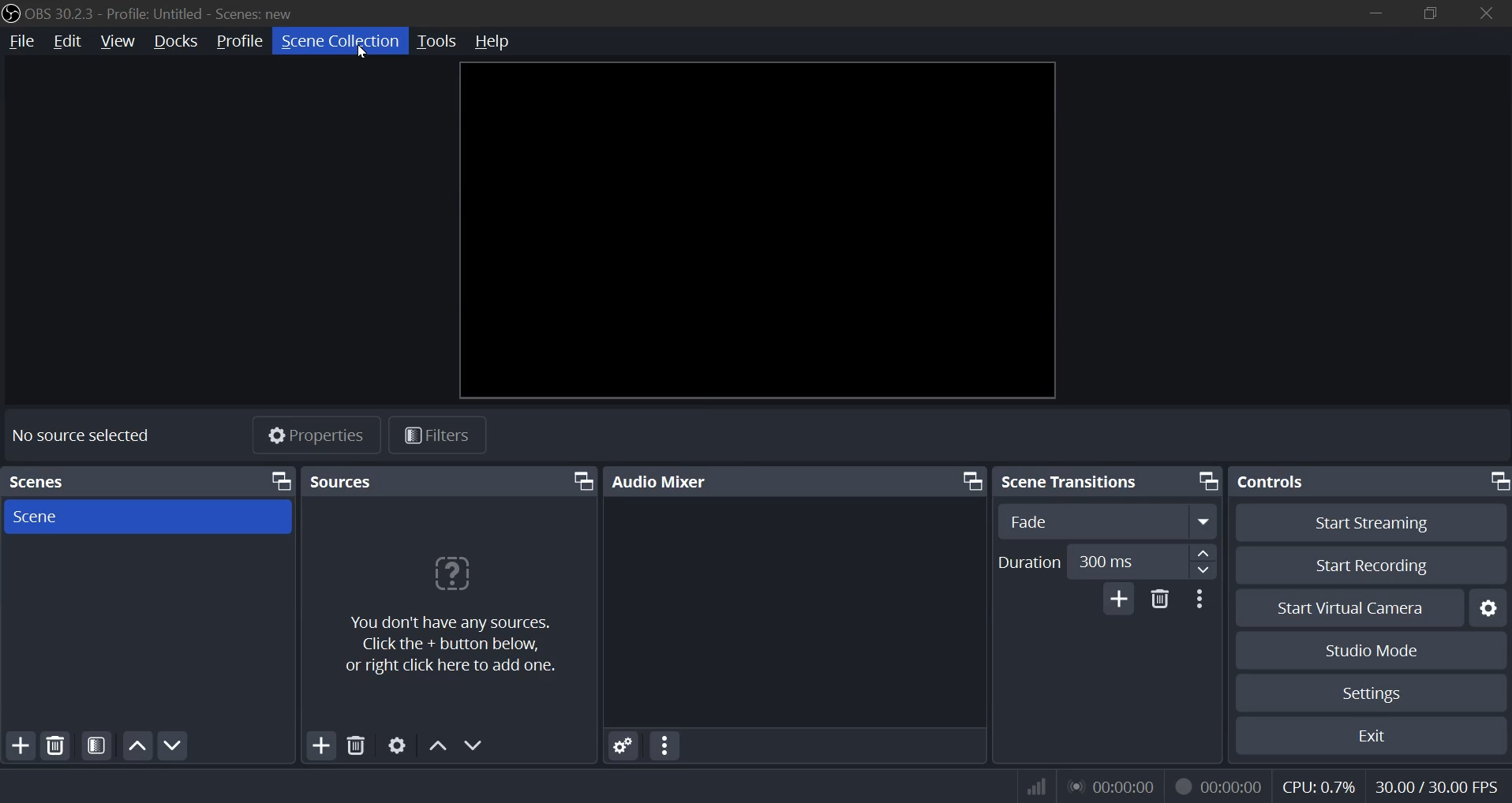 Image resolution: width=1512 pixels, height=803 pixels. Describe the element at coordinates (1319, 784) in the screenshot. I see `cpu` at that location.